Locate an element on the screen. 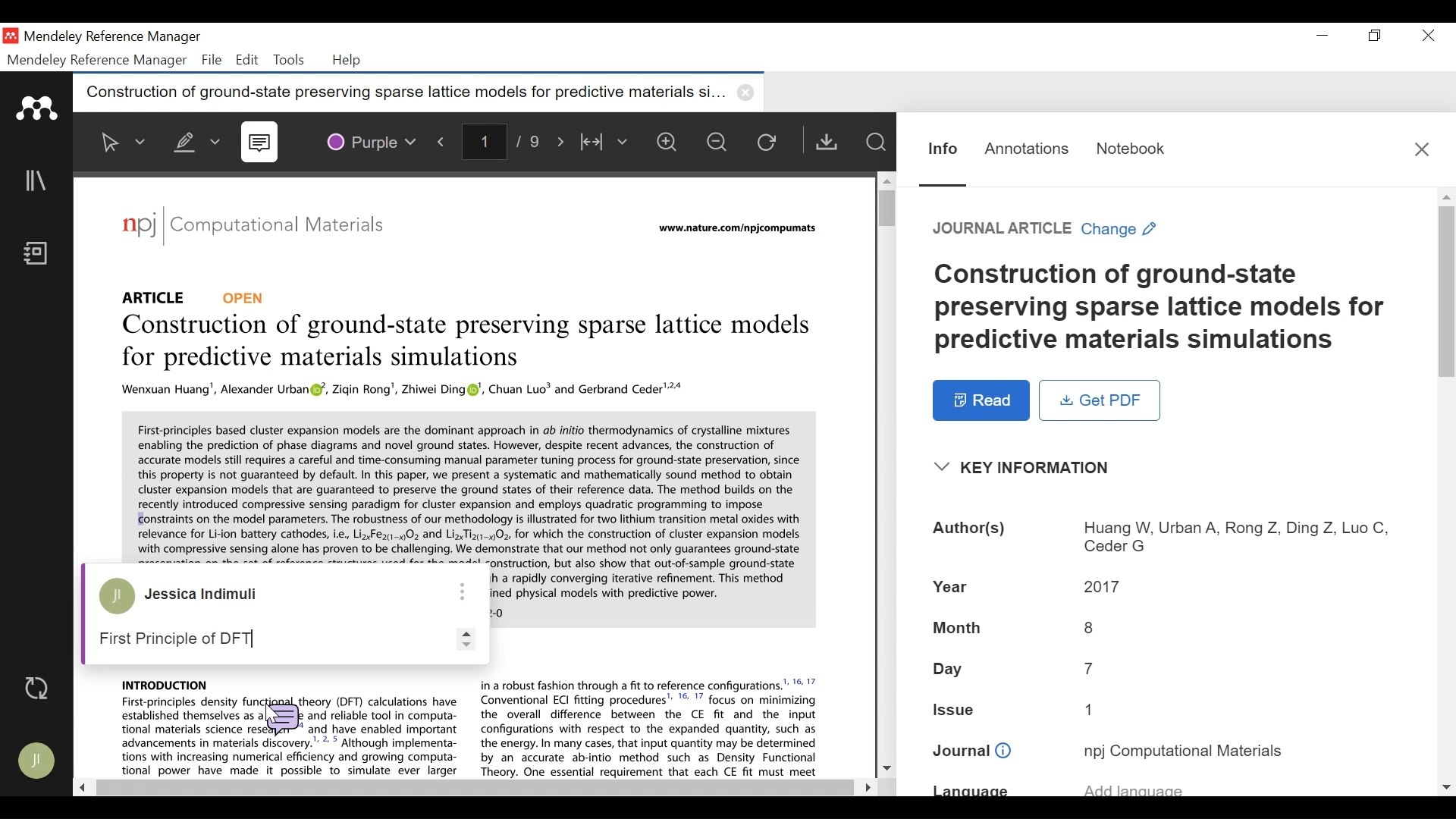  Add a comment is located at coordinates (263, 638).